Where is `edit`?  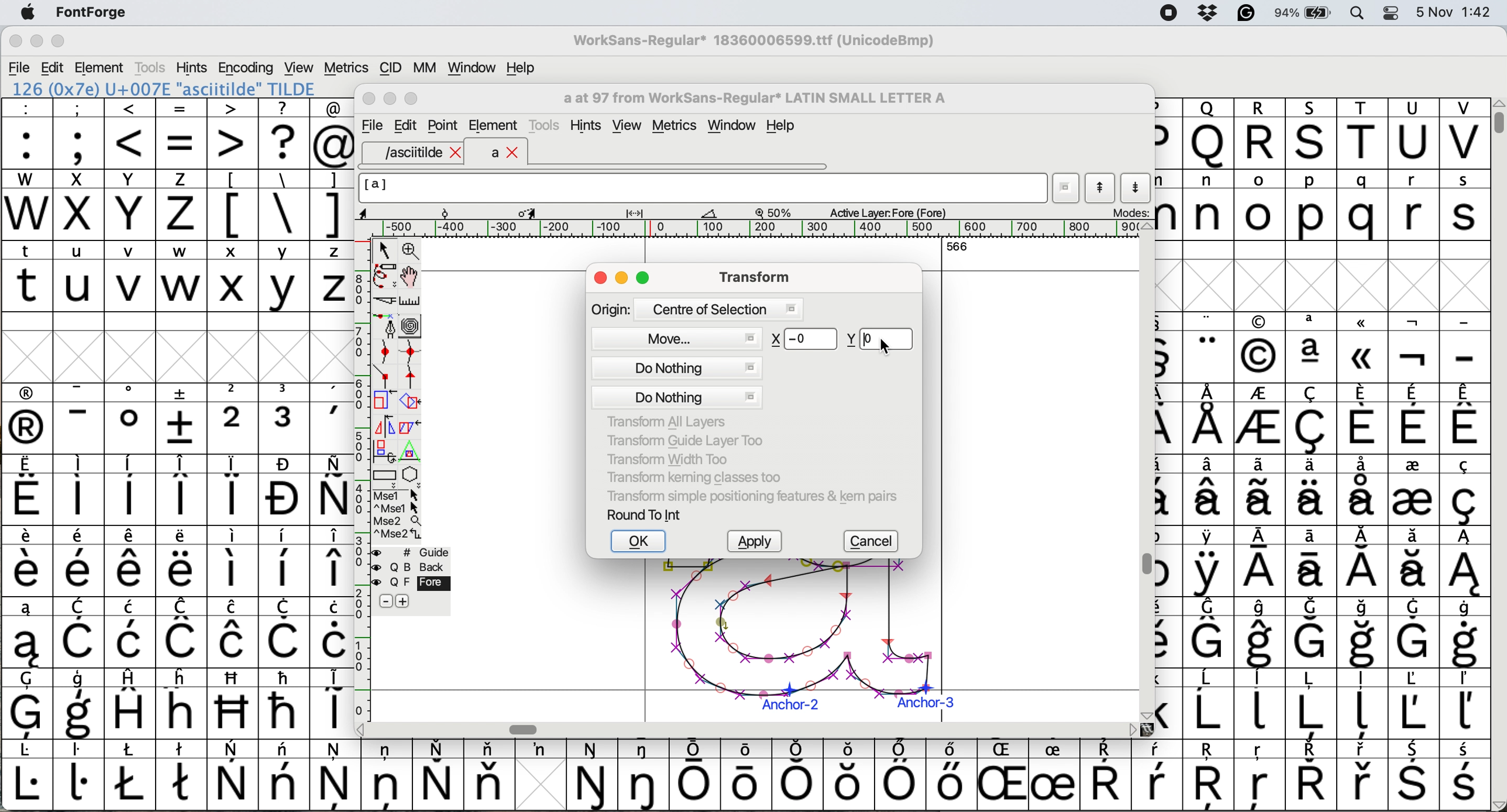 edit is located at coordinates (54, 68).